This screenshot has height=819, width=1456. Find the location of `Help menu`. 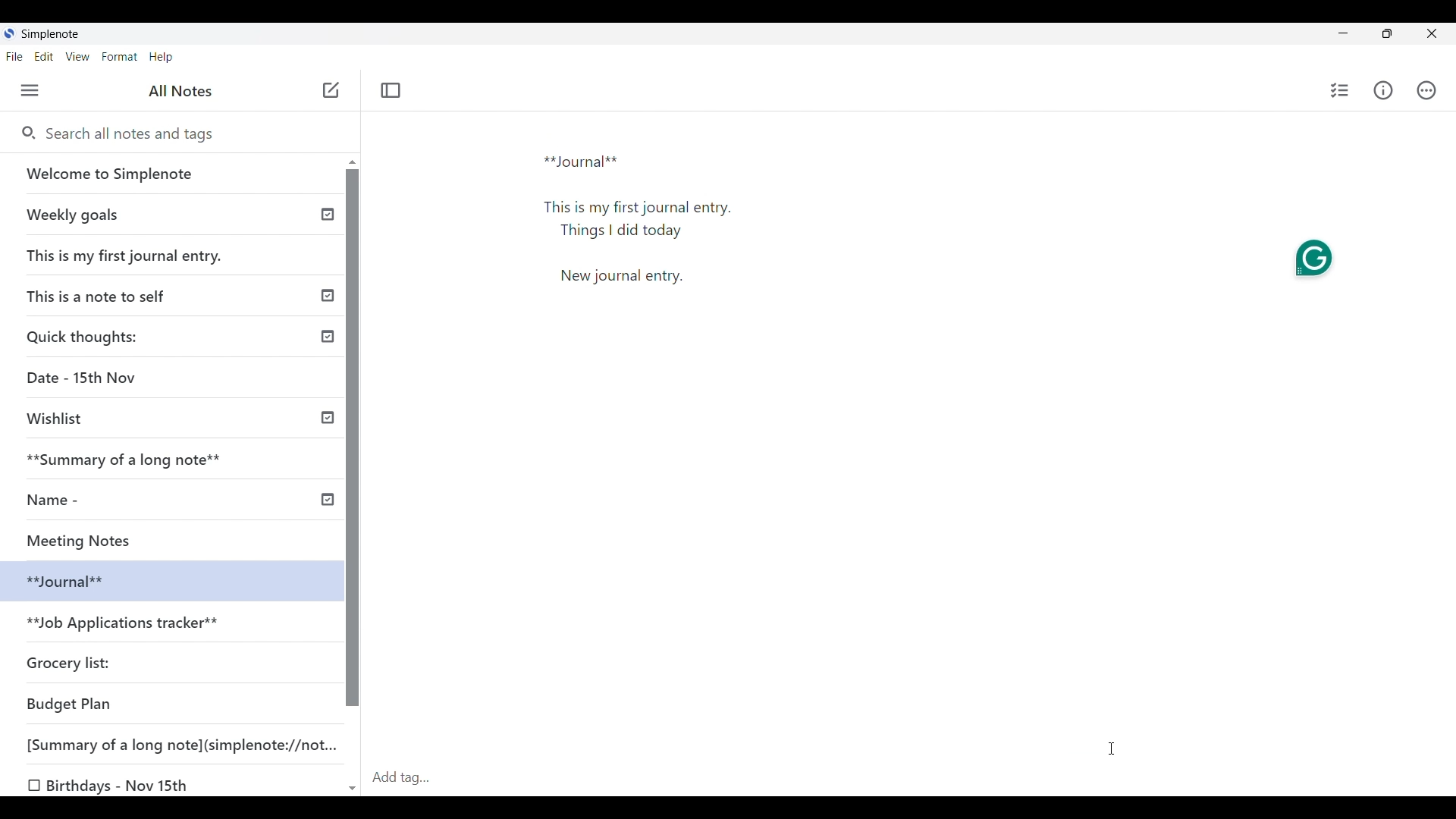

Help menu is located at coordinates (162, 58).